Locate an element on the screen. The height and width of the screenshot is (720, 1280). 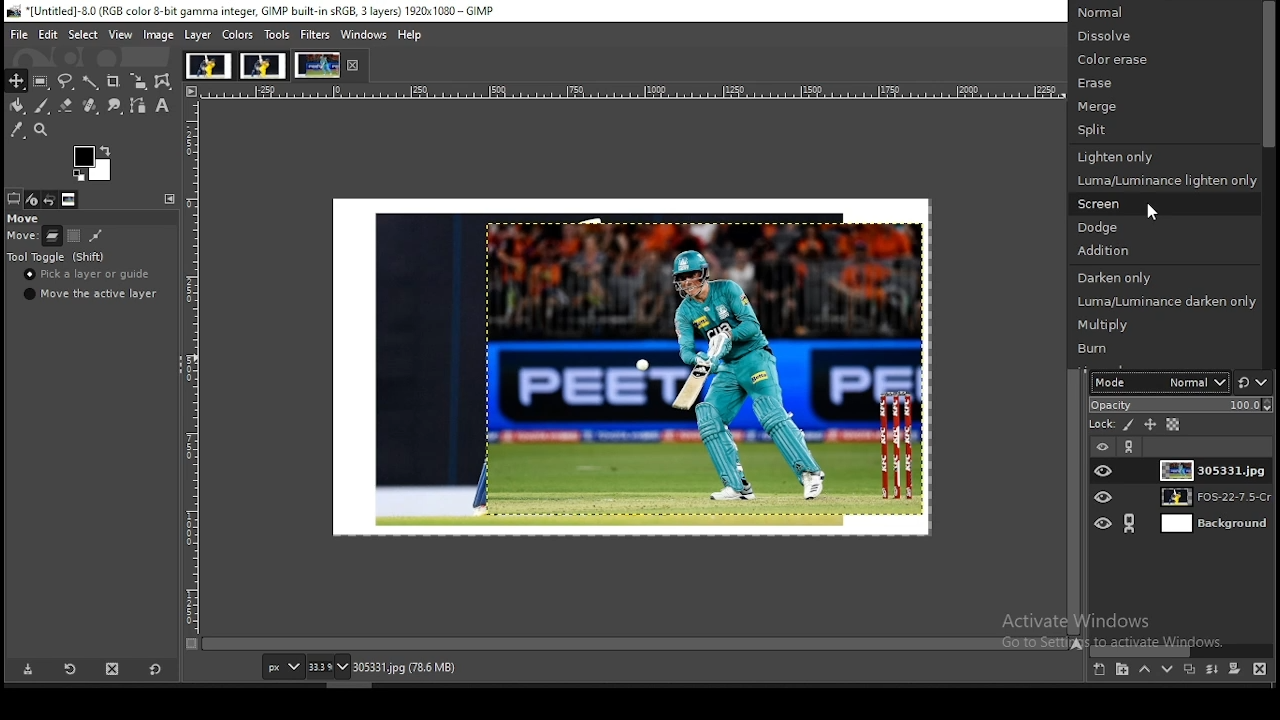
view is located at coordinates (121, 36).